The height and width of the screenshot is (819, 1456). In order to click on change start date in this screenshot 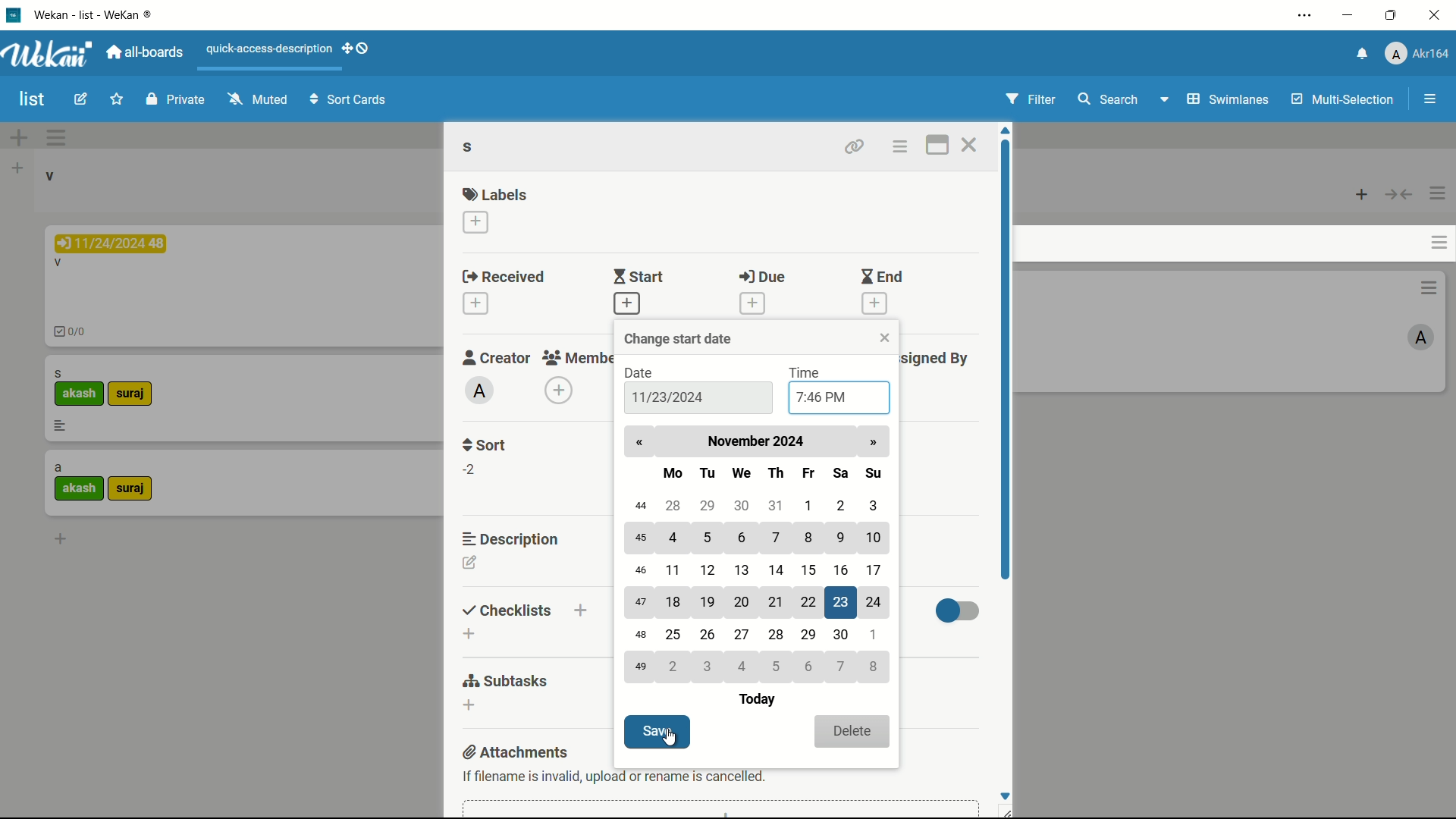, I will do `click(681, 338)`.